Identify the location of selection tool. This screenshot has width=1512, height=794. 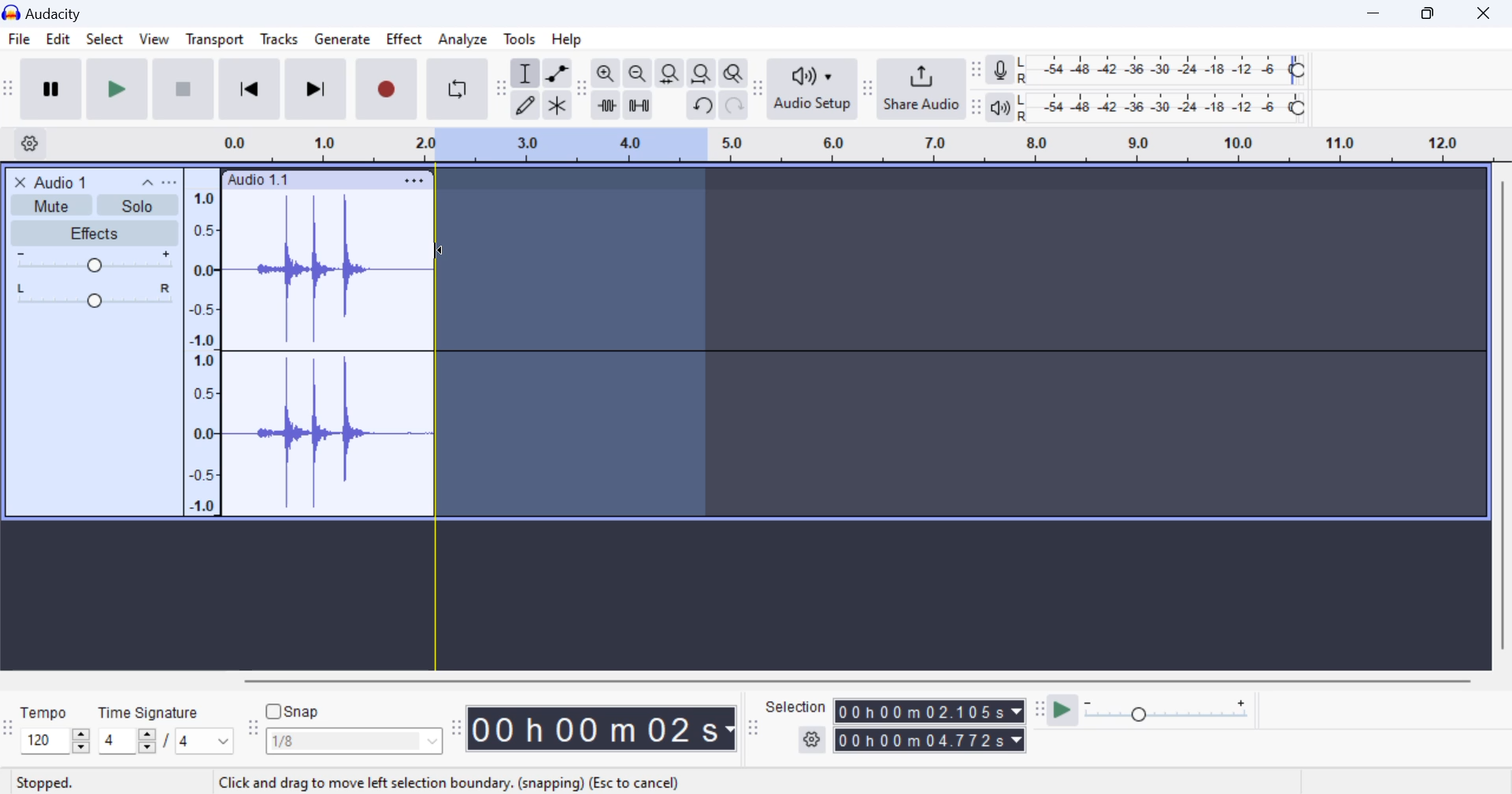
(527, 76).